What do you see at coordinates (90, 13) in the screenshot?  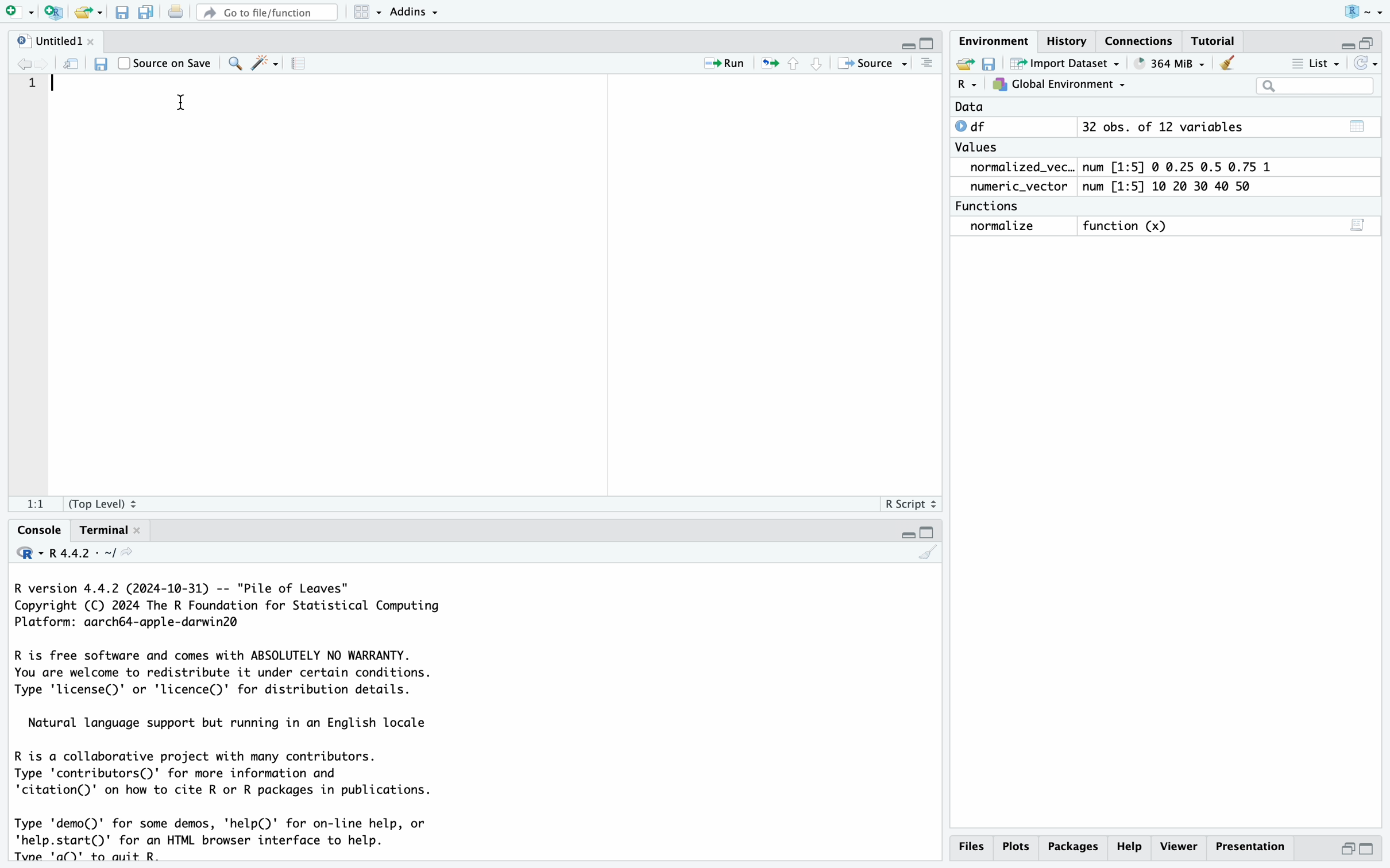 I see `Open` at bounding box center [90, 13].